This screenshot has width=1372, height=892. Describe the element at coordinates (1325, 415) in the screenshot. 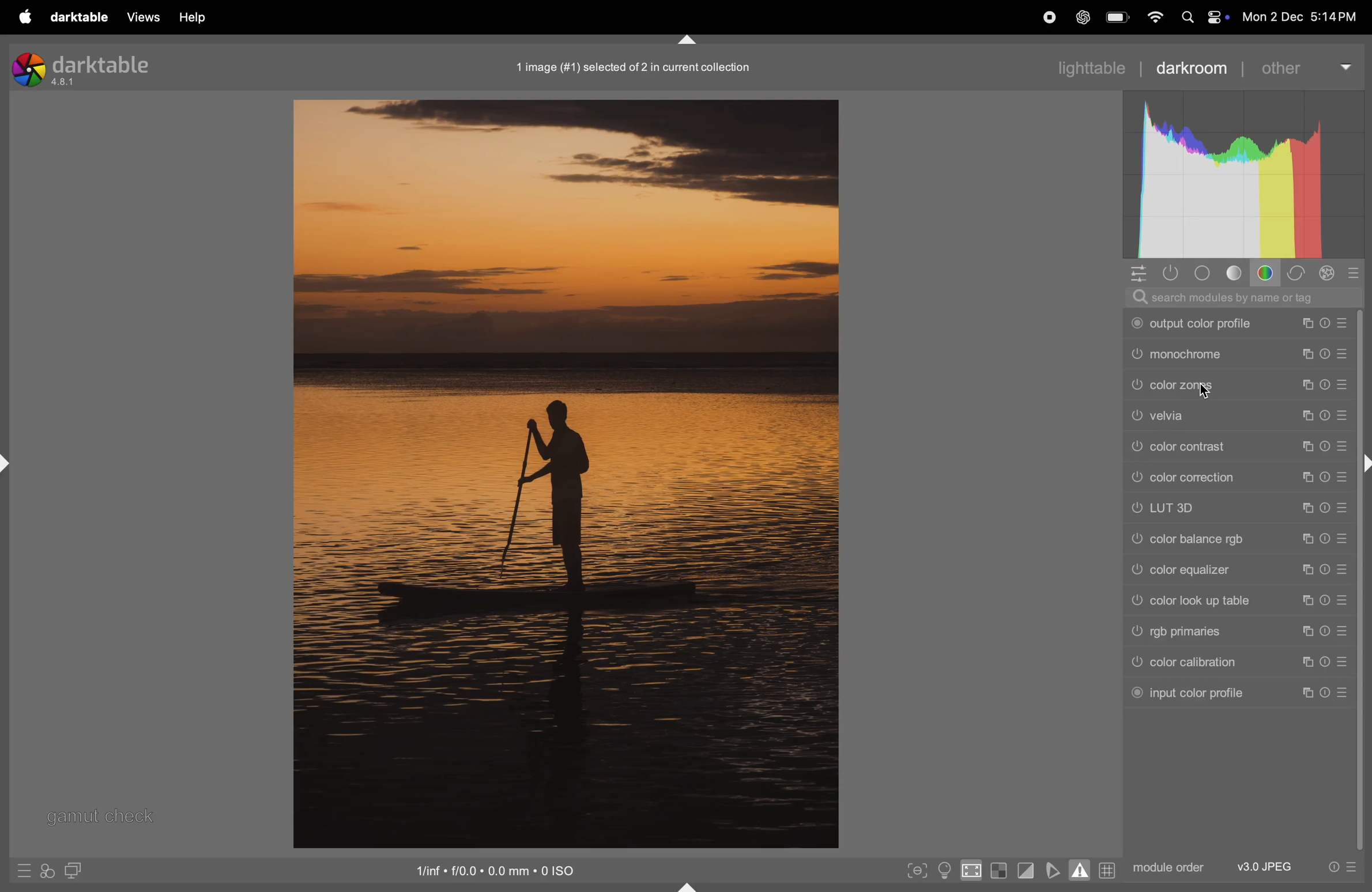

I see `Copy` at that location.